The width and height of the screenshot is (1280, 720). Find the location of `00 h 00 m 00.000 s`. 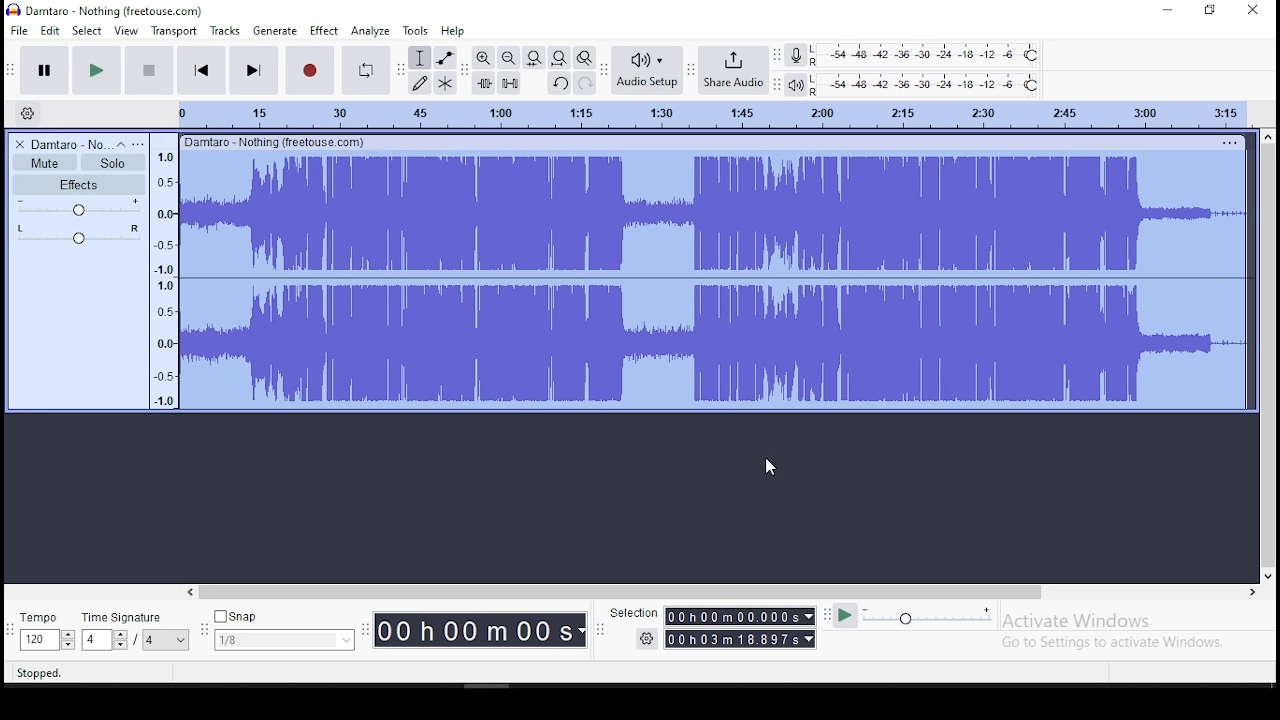

00 h 00 m 00.000 s is located at coordinates (740, 616).